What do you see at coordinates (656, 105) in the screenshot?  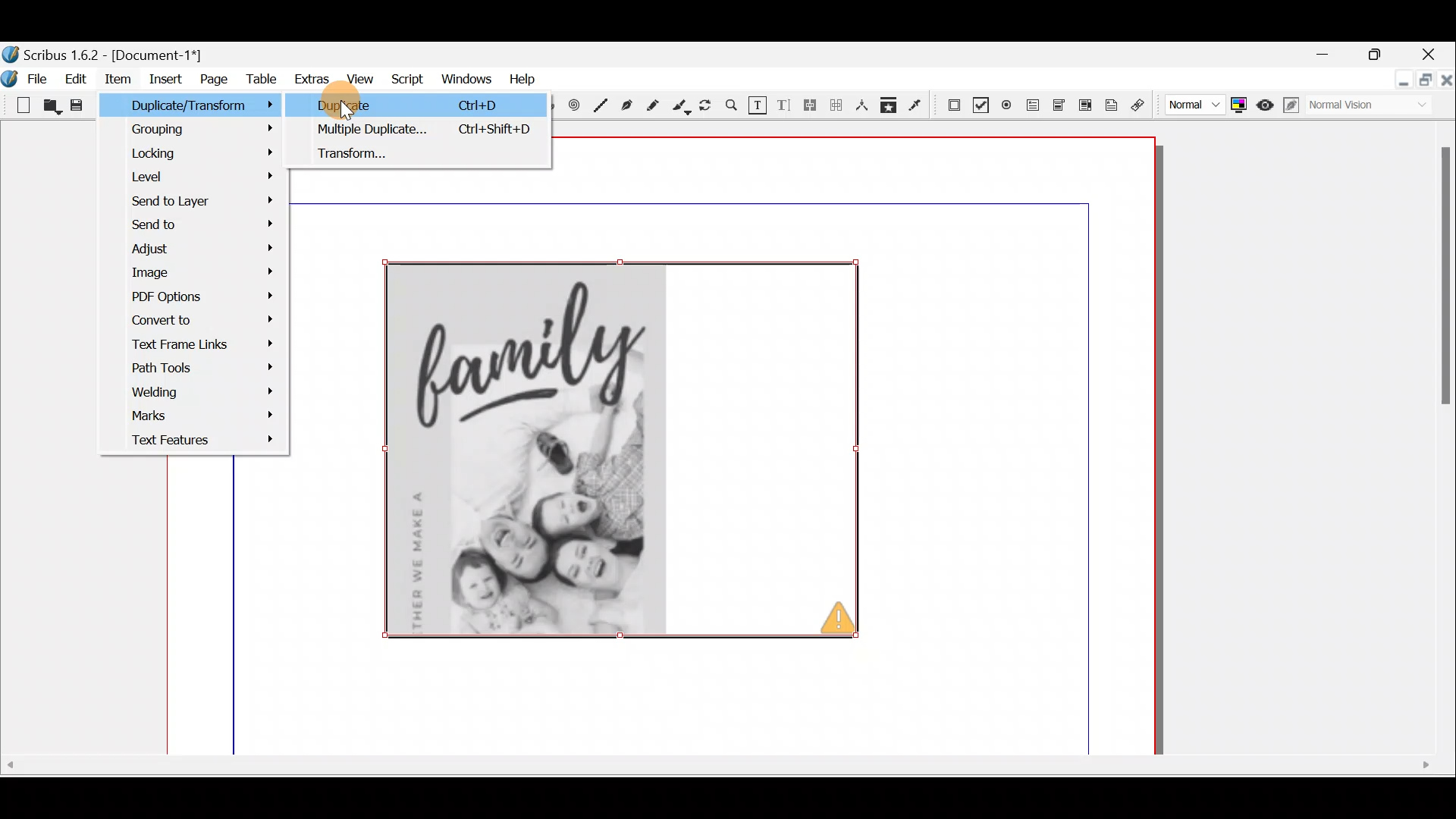 I see `Freehand line` at bounding box center [656, 105].